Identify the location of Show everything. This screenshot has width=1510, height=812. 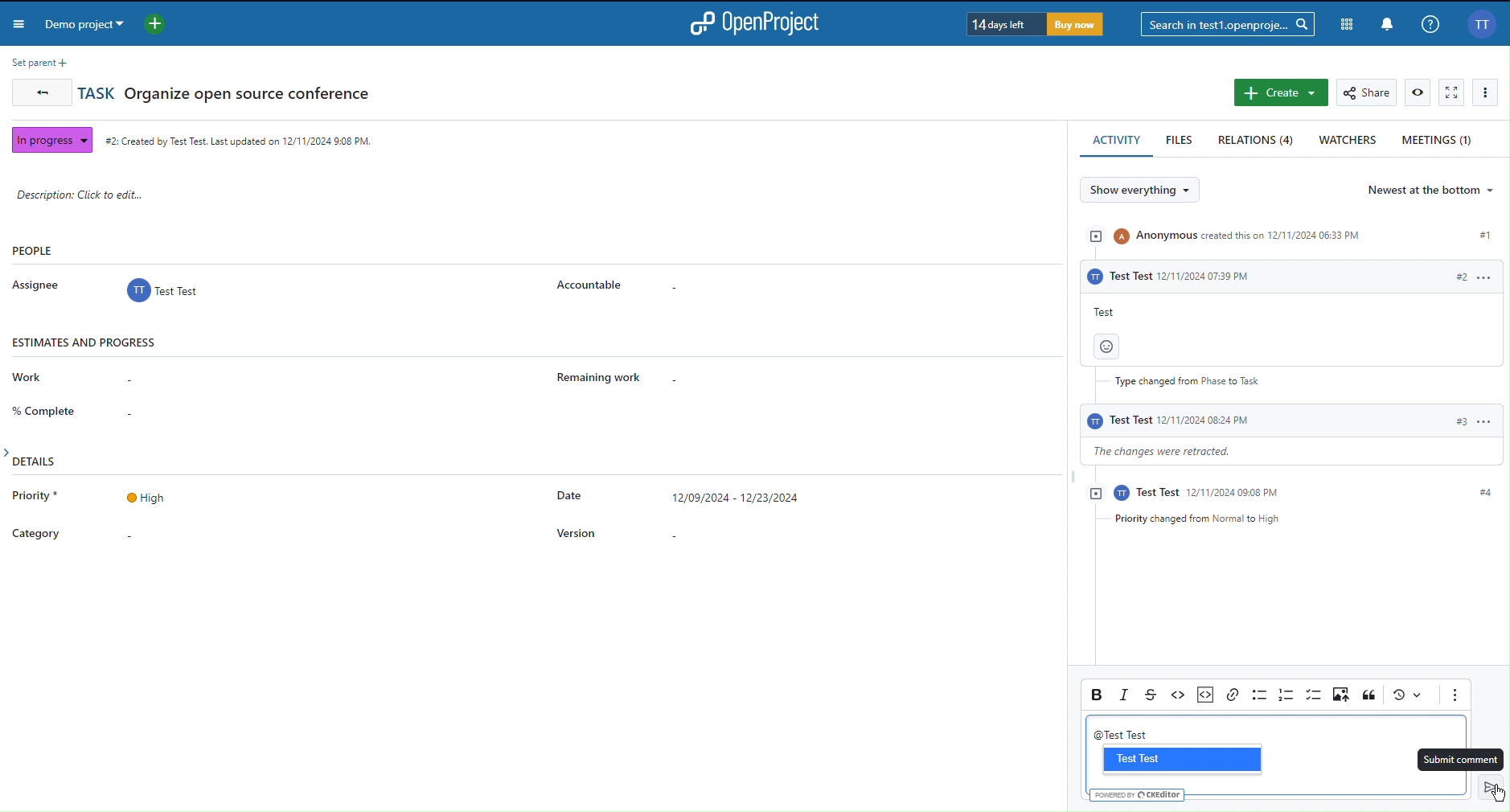
(1147, 191).